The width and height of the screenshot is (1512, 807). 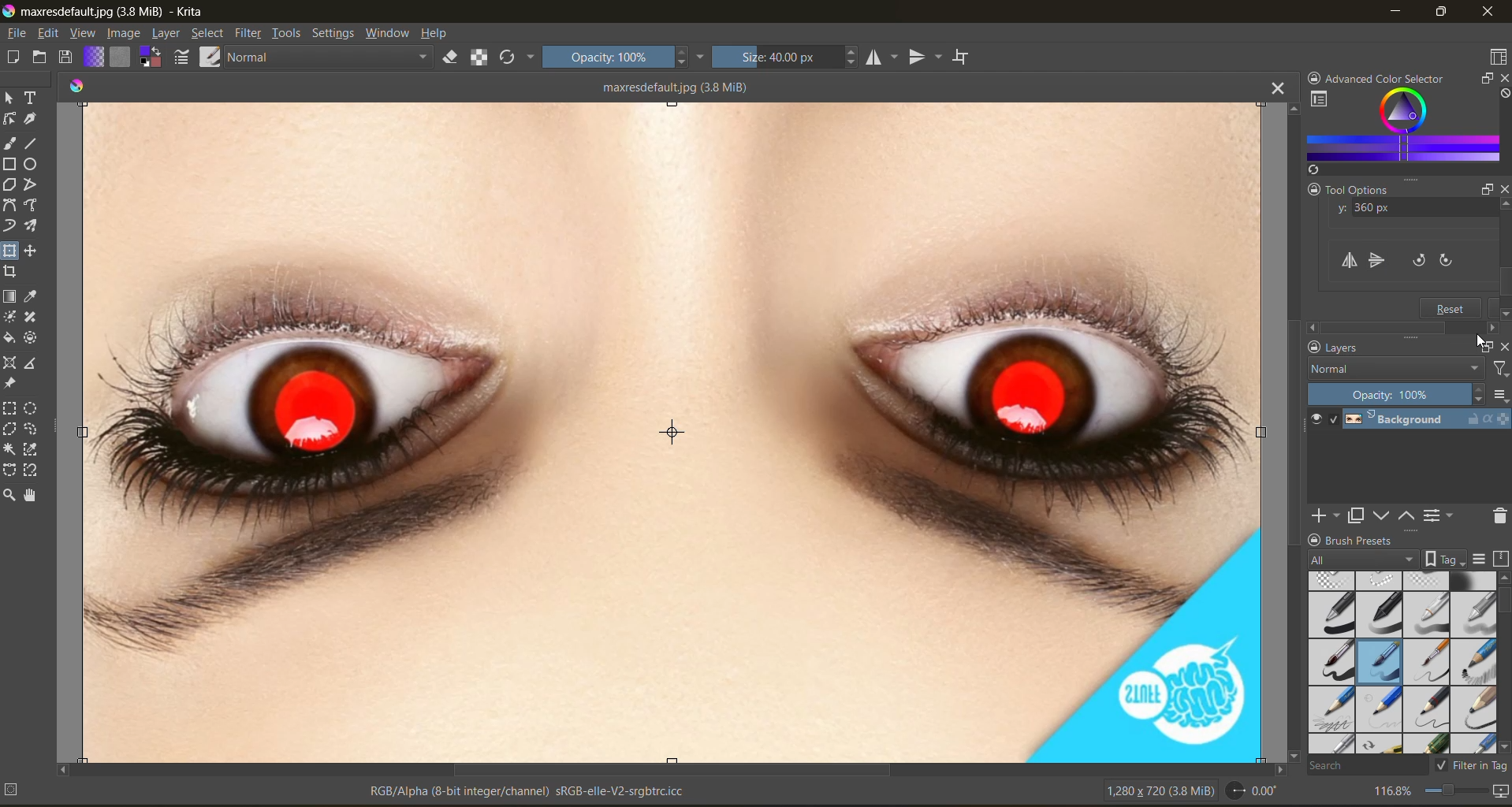 What do you see at coordinates (11, 99) in the screenshot?
I see `tool` at bounding box center [11, 99].